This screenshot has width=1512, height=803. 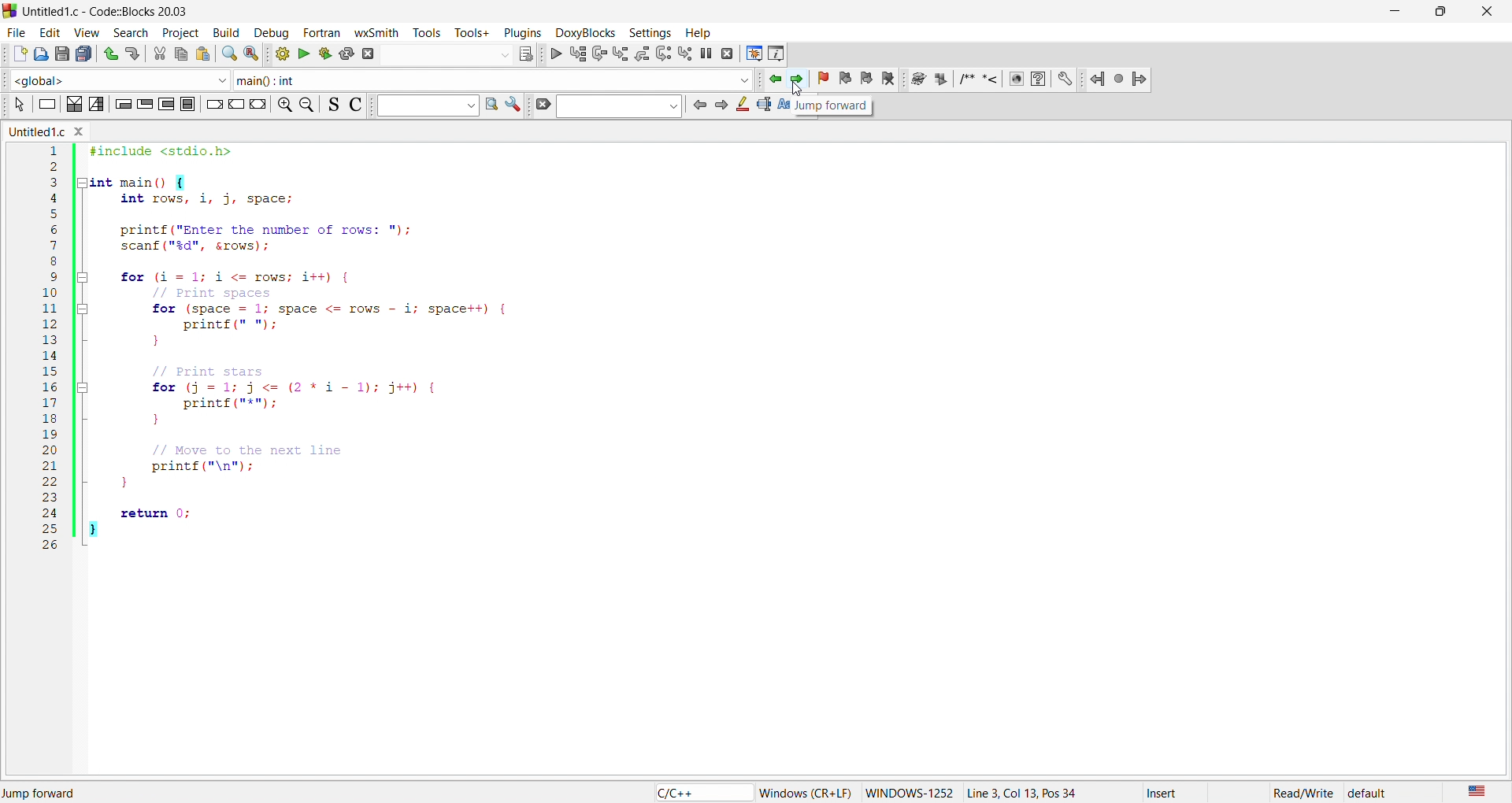 I want to click on search, so click(x=226, y=56).